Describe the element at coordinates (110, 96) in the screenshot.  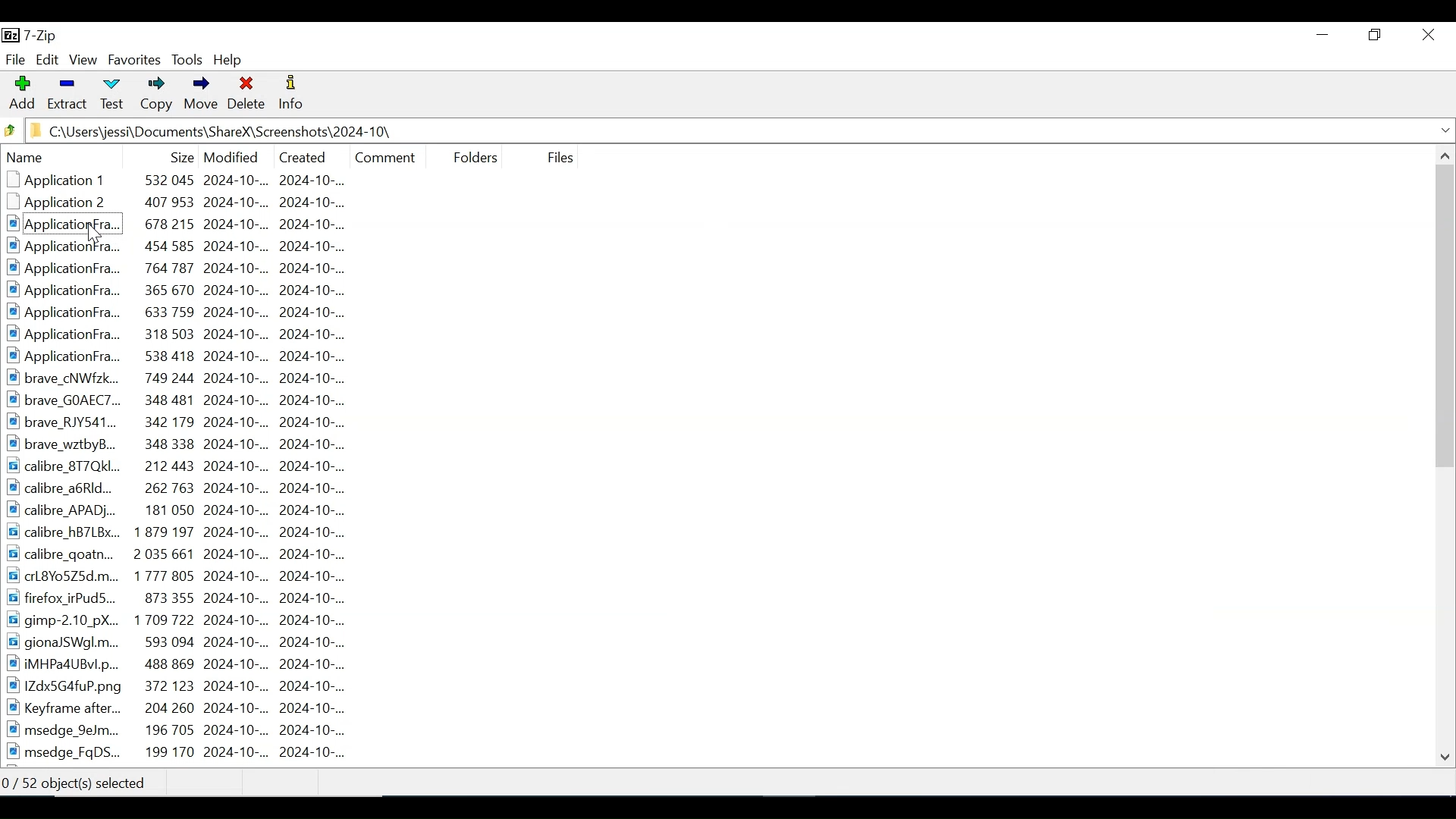
I see `Test` at that location.